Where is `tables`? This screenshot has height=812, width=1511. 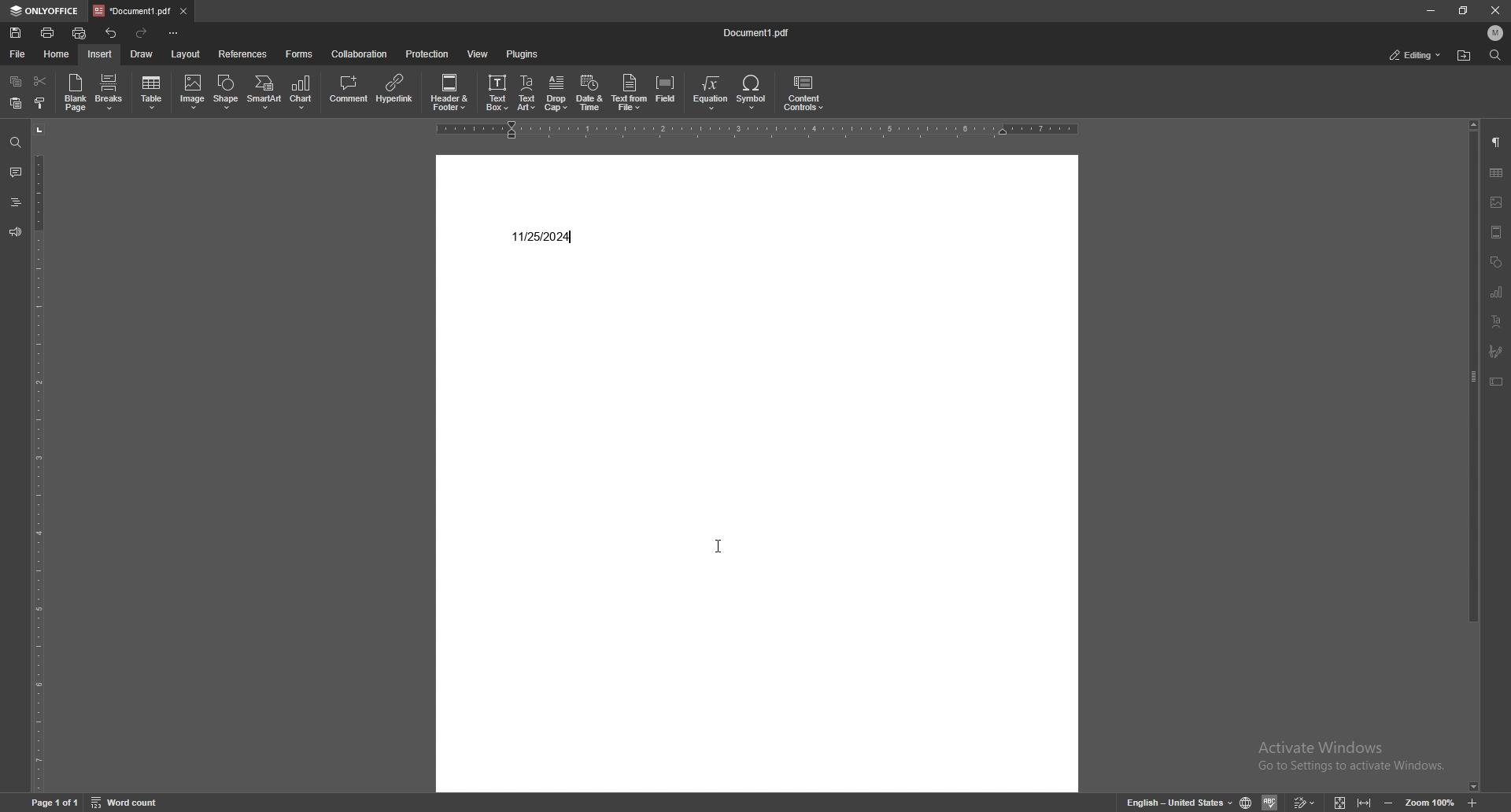 tables is located at coordinates (1496, 172).